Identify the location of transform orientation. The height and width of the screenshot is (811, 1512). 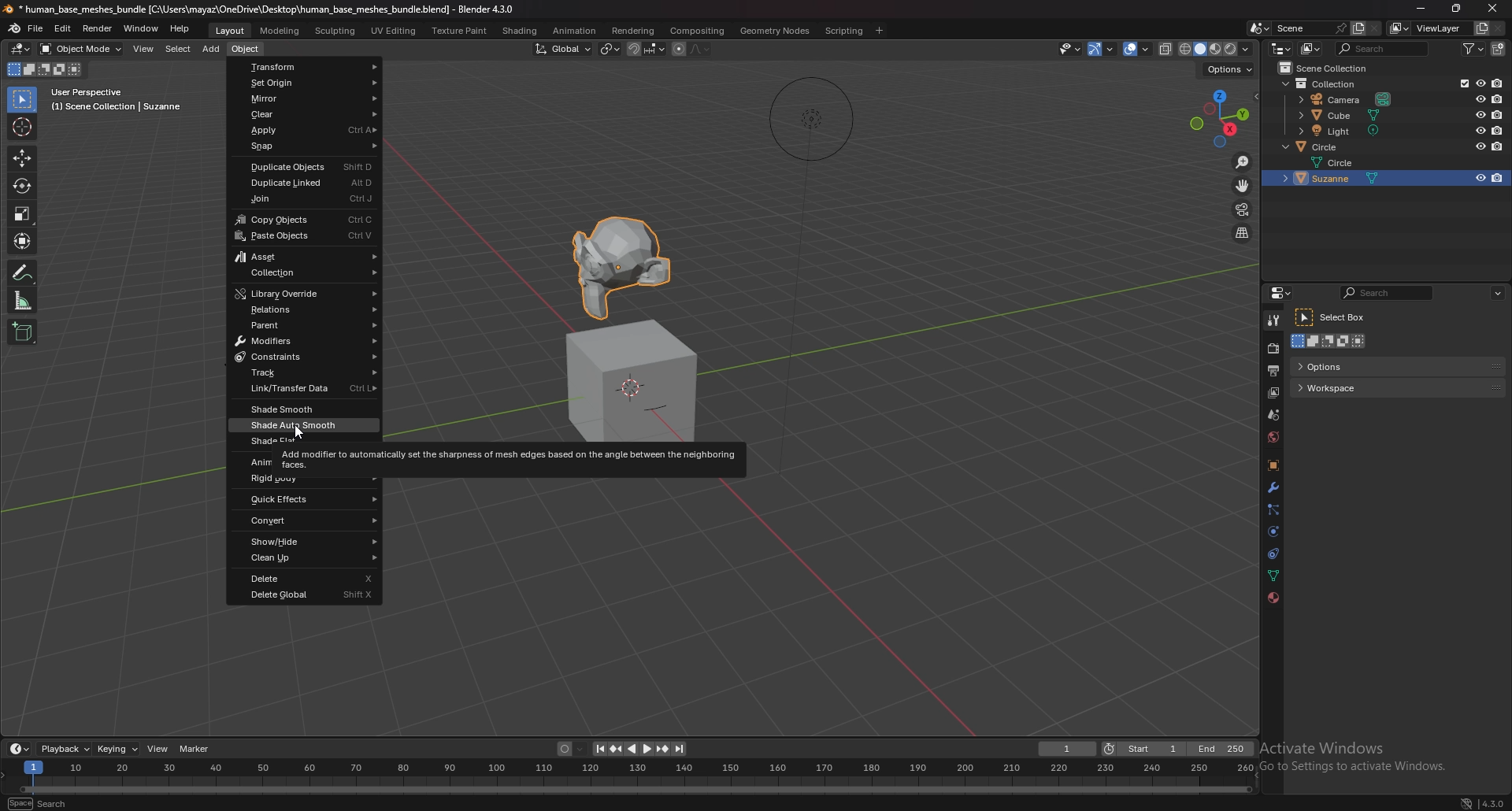
(563, 48).